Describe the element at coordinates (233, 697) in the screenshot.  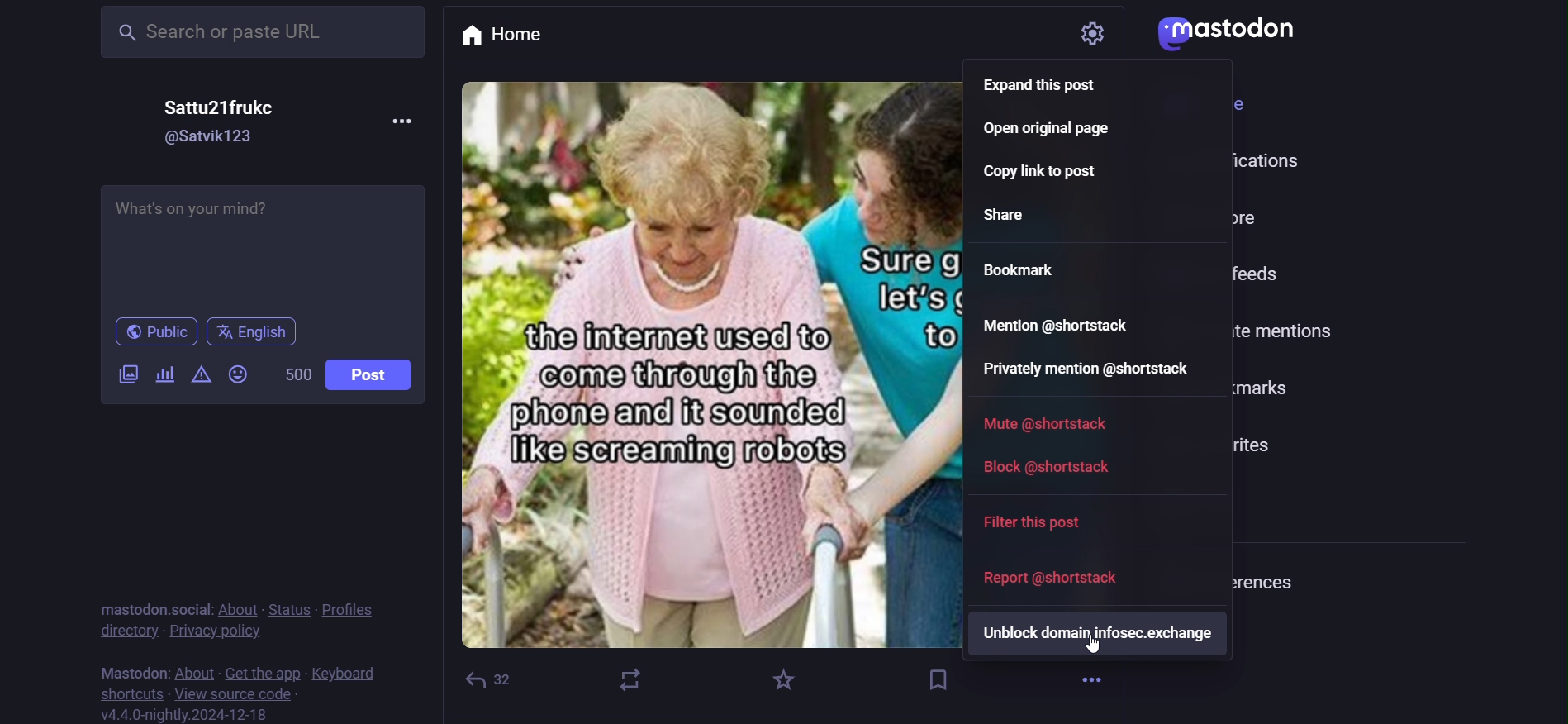
I see `source code` at that location.